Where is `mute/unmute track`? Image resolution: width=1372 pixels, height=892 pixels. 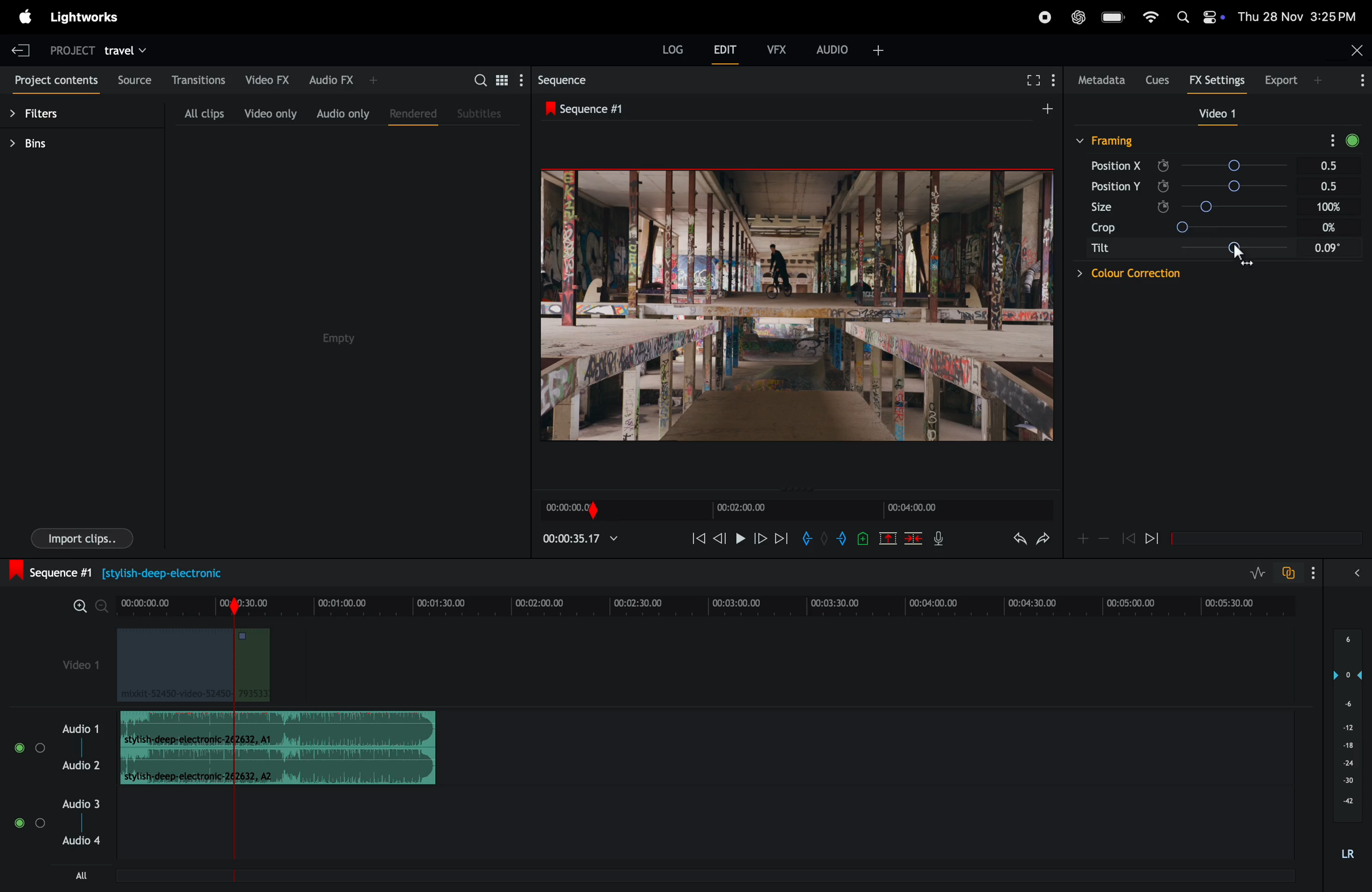 mute/unmute track is located at coordinates (17, 745).